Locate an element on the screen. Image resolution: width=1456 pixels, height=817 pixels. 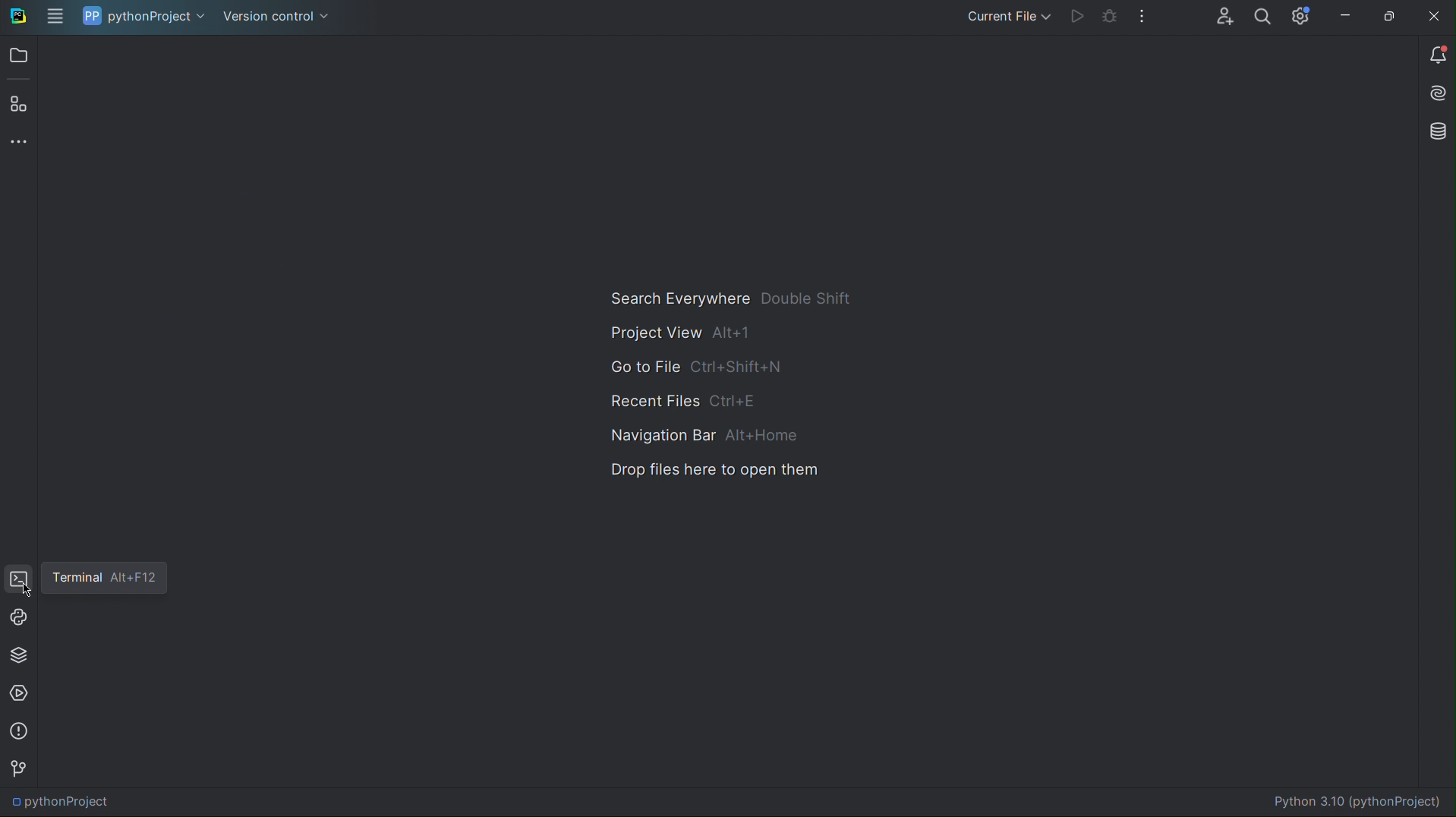
Go to File is located at coordinates (692, 367).